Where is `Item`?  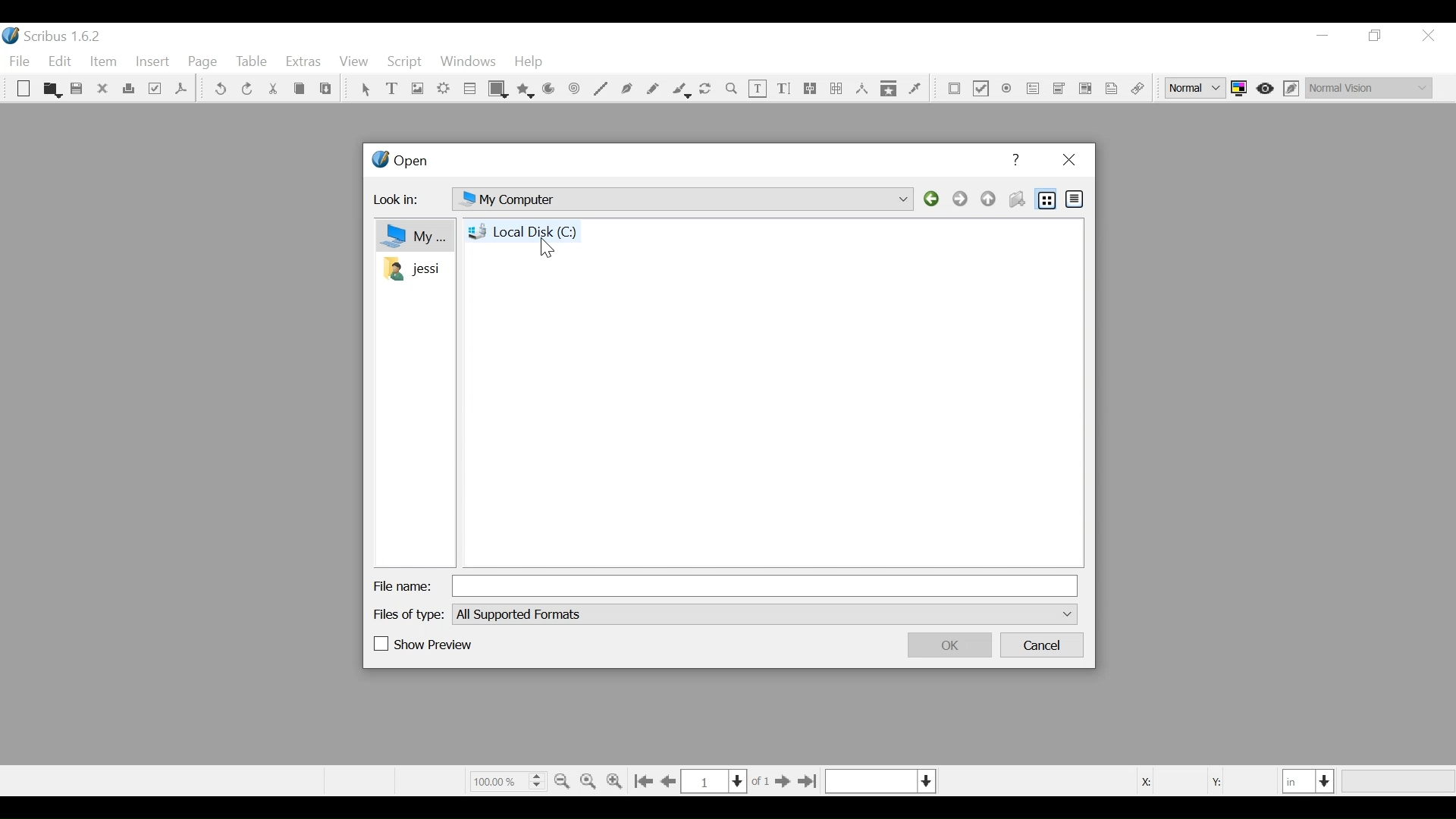 Item is located at coordinates (102, 62).